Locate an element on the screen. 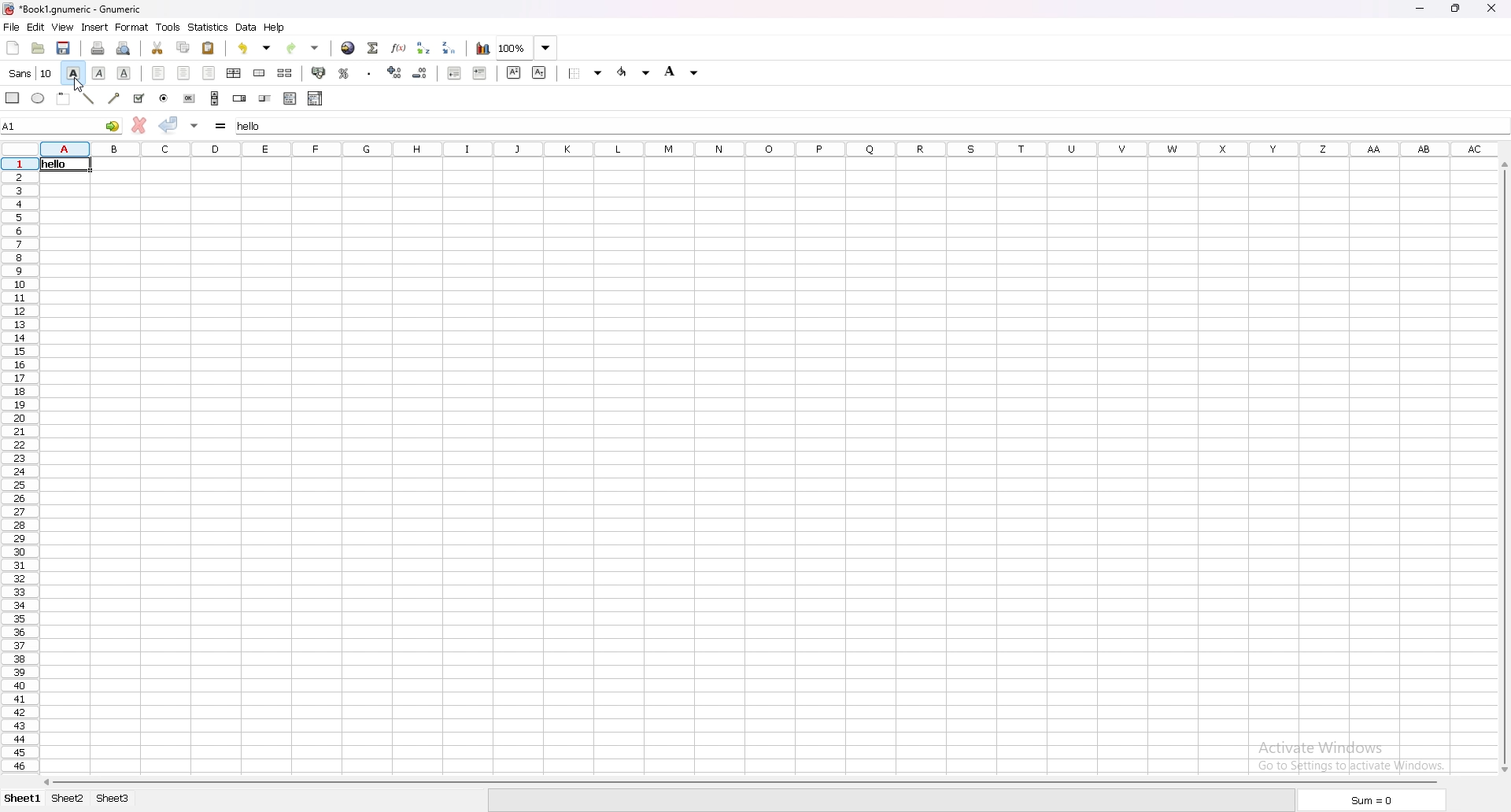 This screenshot has width=1511, height=812. bold is located at coordinates (75, 73).